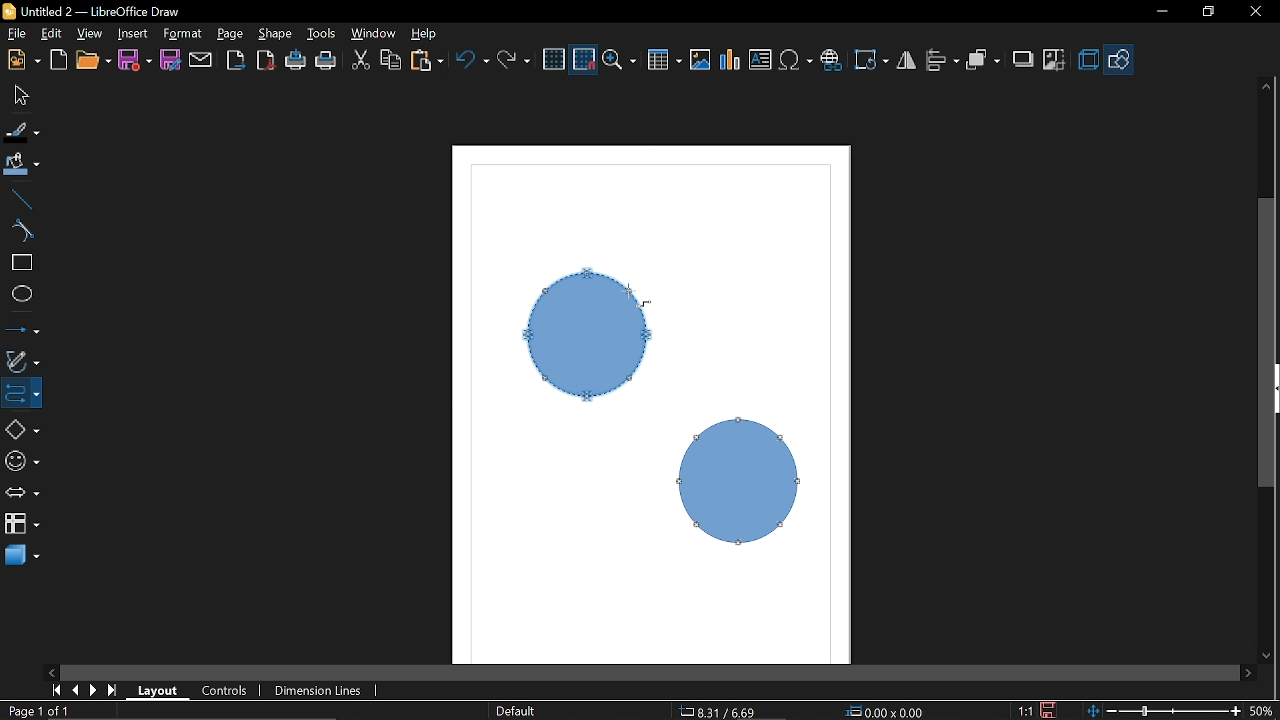 The width and height of the screenshot is (1280, 720). Describe the element at coordinates (796, 61) in the screenshot. I see `Insert symbol` at that location.